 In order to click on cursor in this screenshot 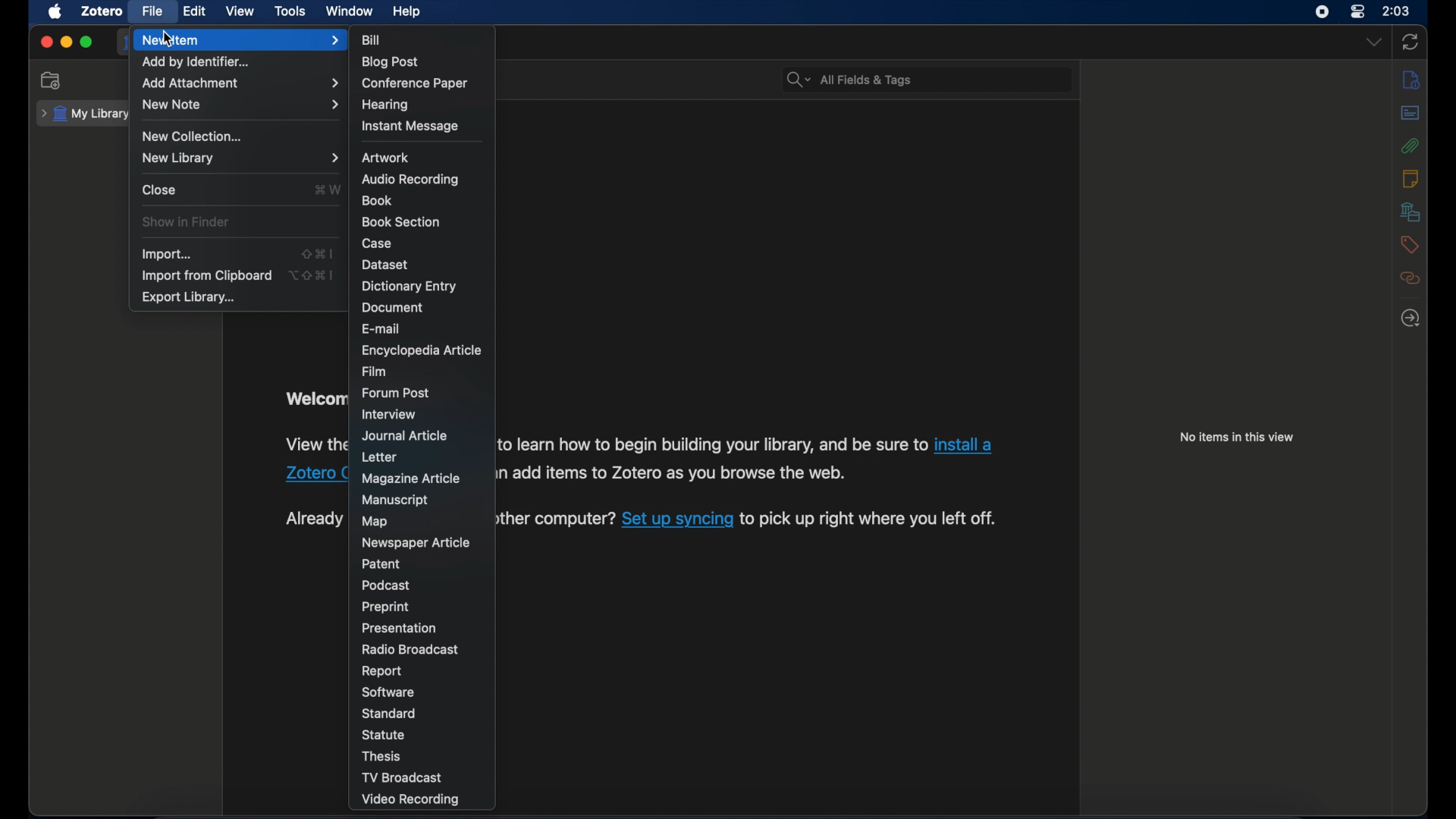, I will do `click(167, 39)`.